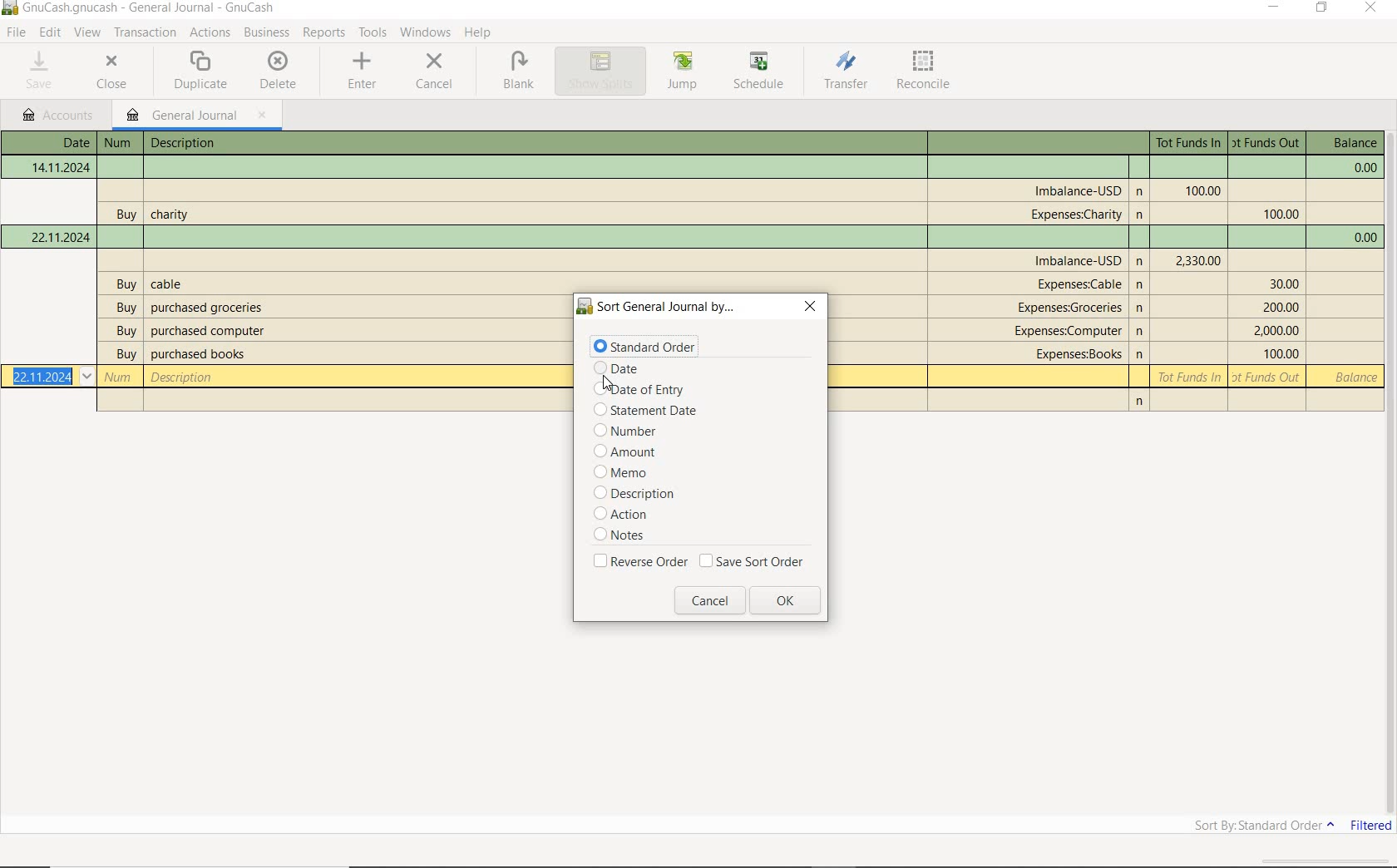  I want to click on account, so click(1072, 308).